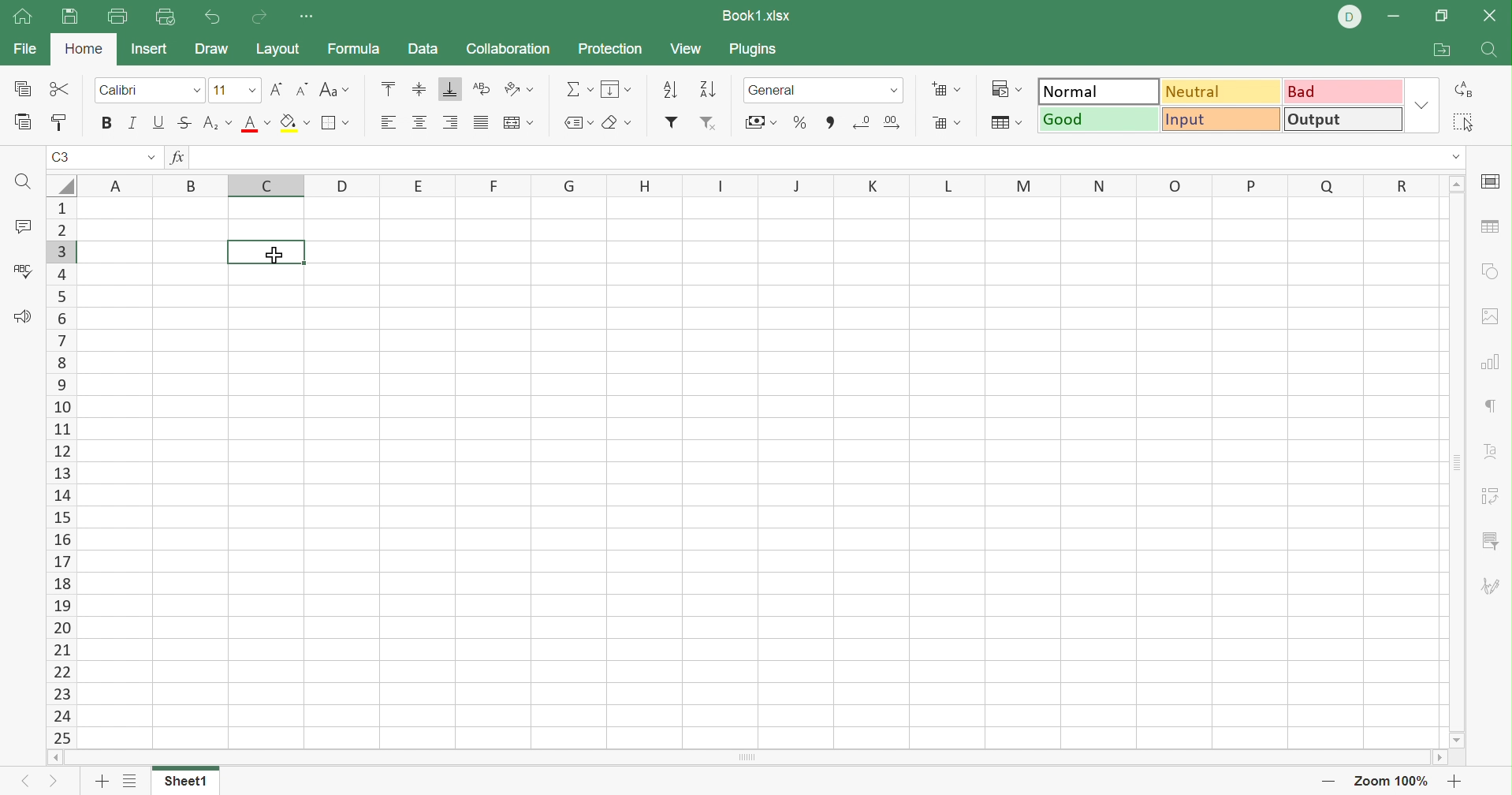  I want to click on Align Center, so click(420, 124).